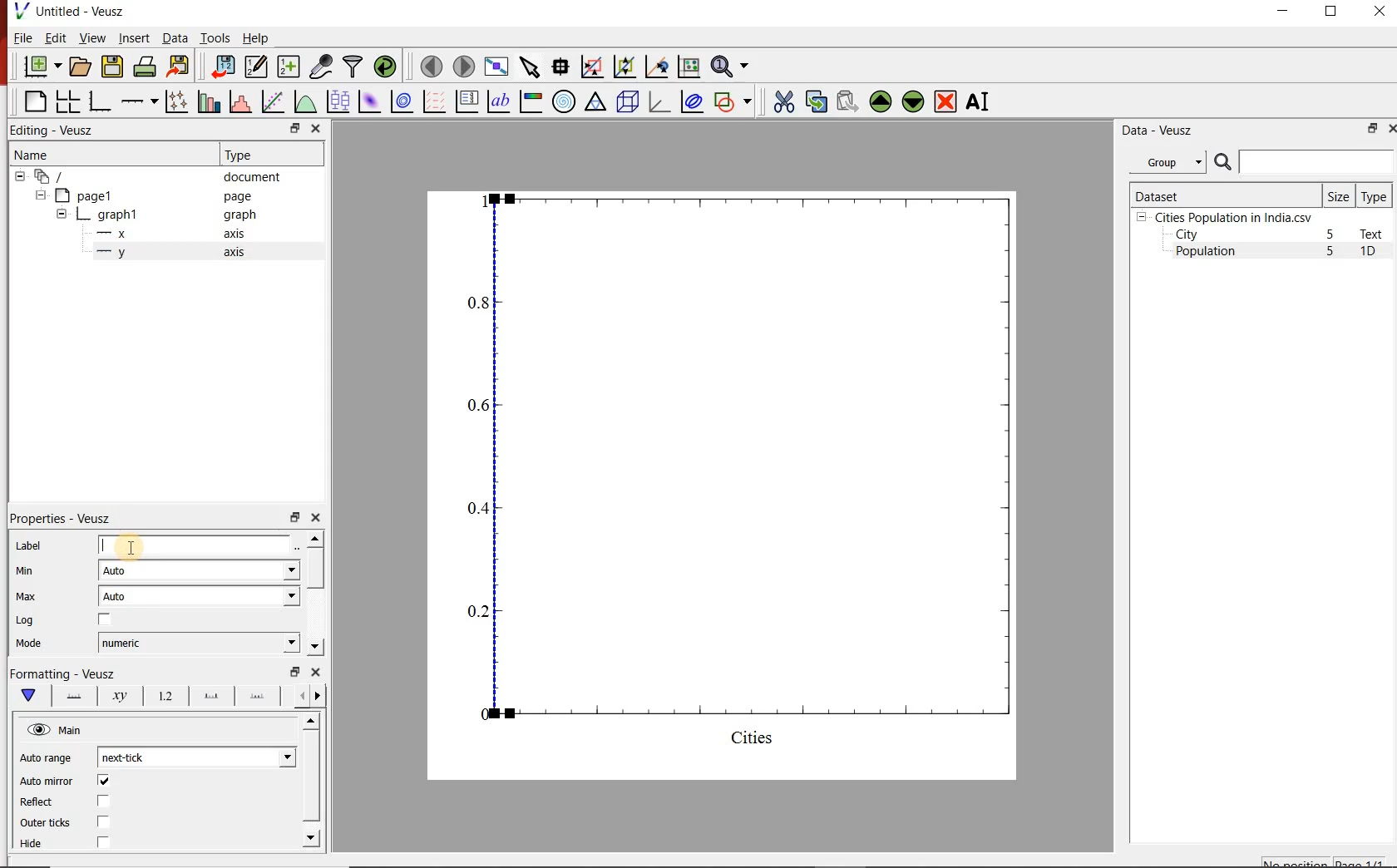 The width and height of the screenshot is (1397, 868). Describe the element at coordinates (294, 672) in the screenshot. I see `restore` at that location.